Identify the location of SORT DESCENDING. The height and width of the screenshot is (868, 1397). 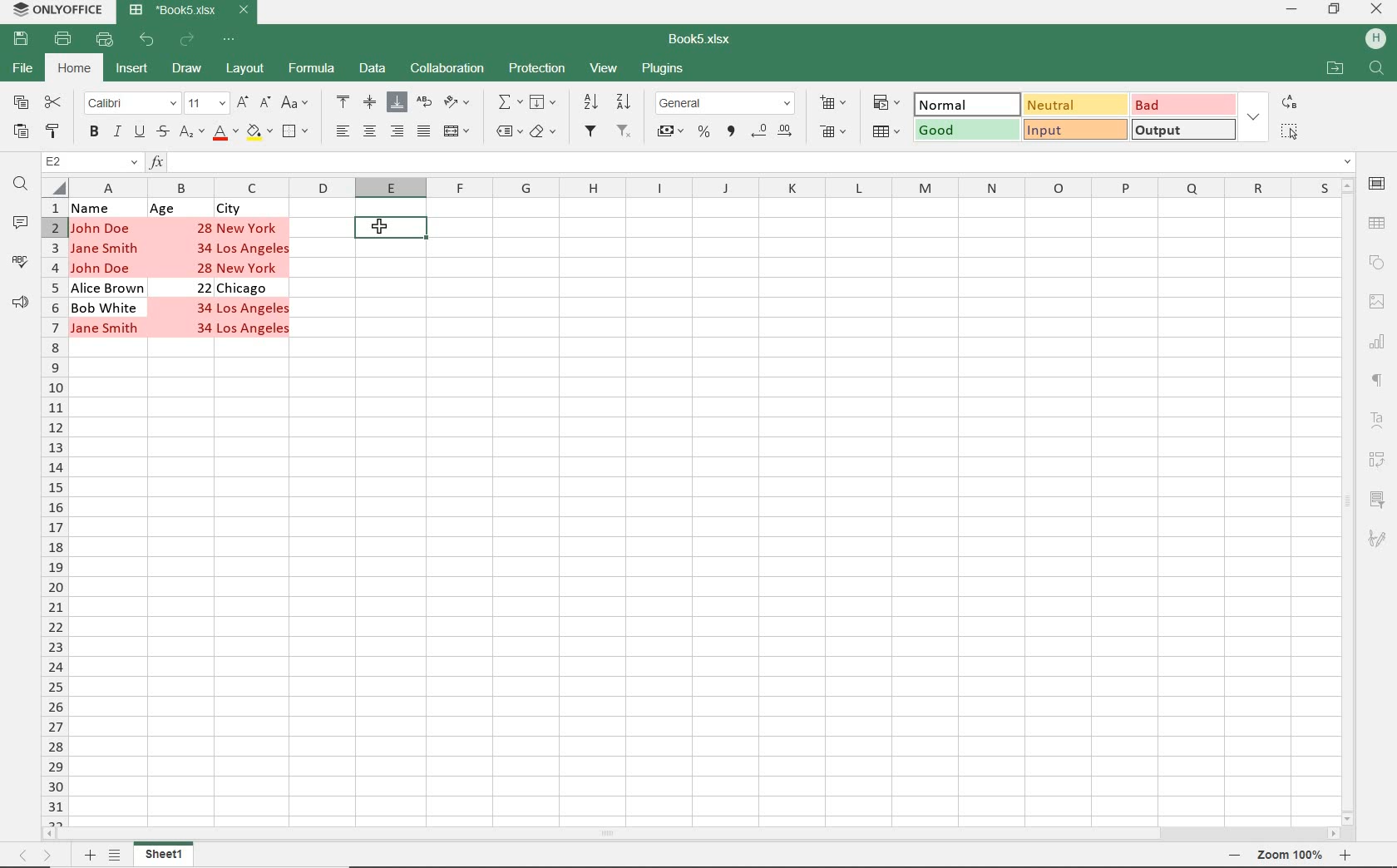
(626, 101).